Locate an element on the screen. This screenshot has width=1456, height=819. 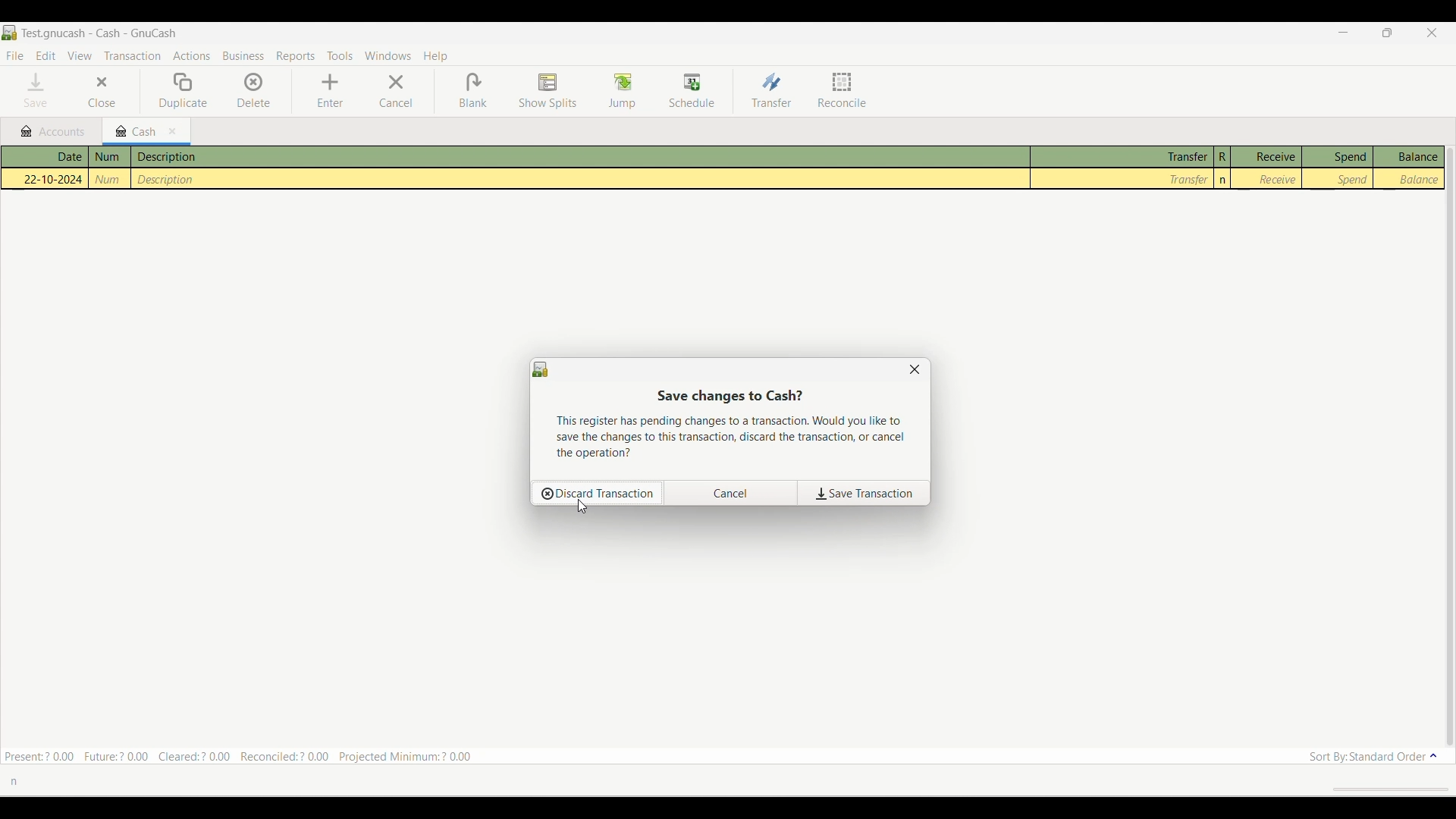
Present:?0.00 Future:? 0.00 Cleared:?0.00 n Reconciled:? 0.00 Projected Minimum:? 0.00 is located at coordinates (244, 754).